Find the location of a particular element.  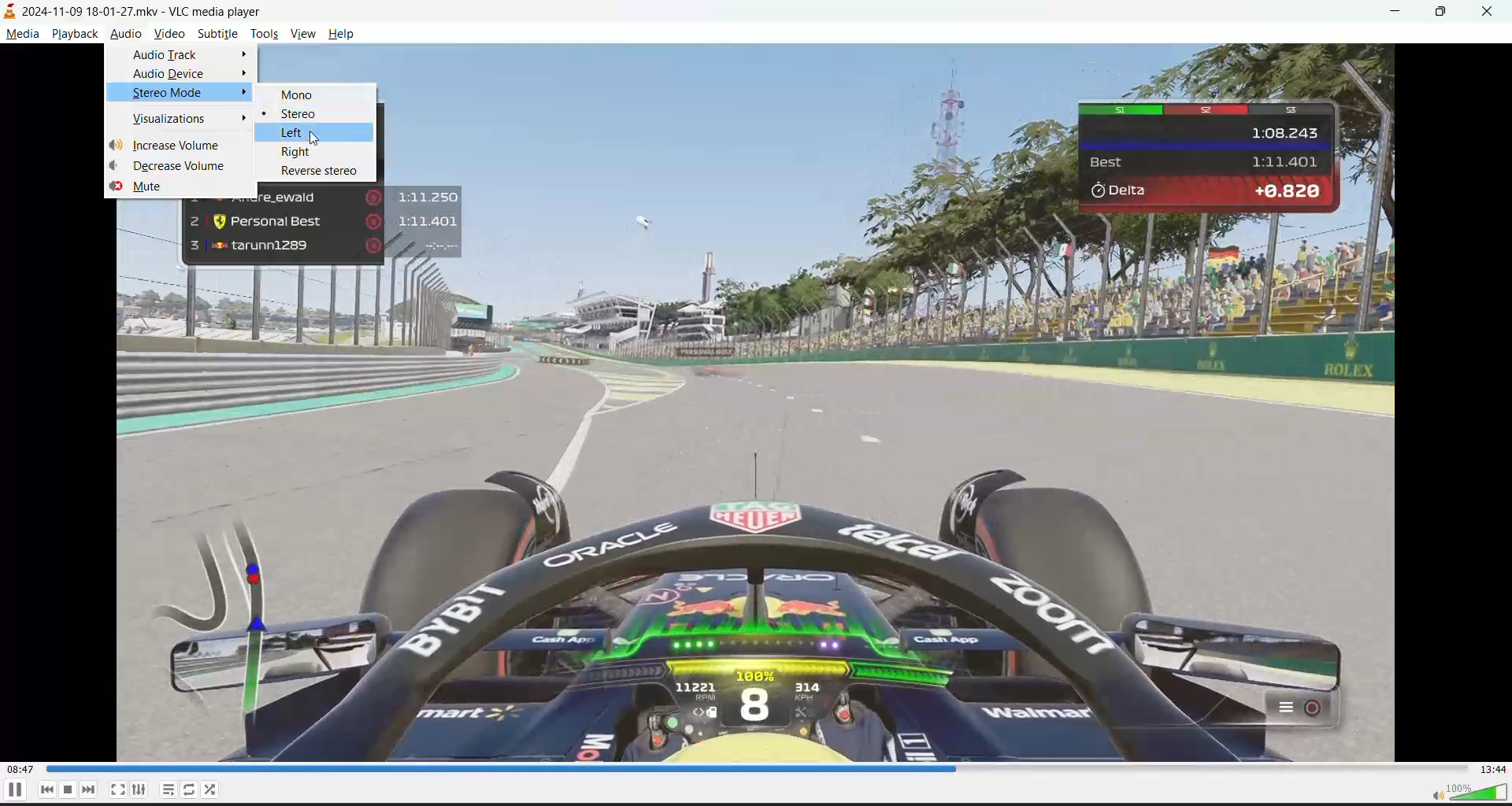

track and app name is located at coordinates (139, 12).